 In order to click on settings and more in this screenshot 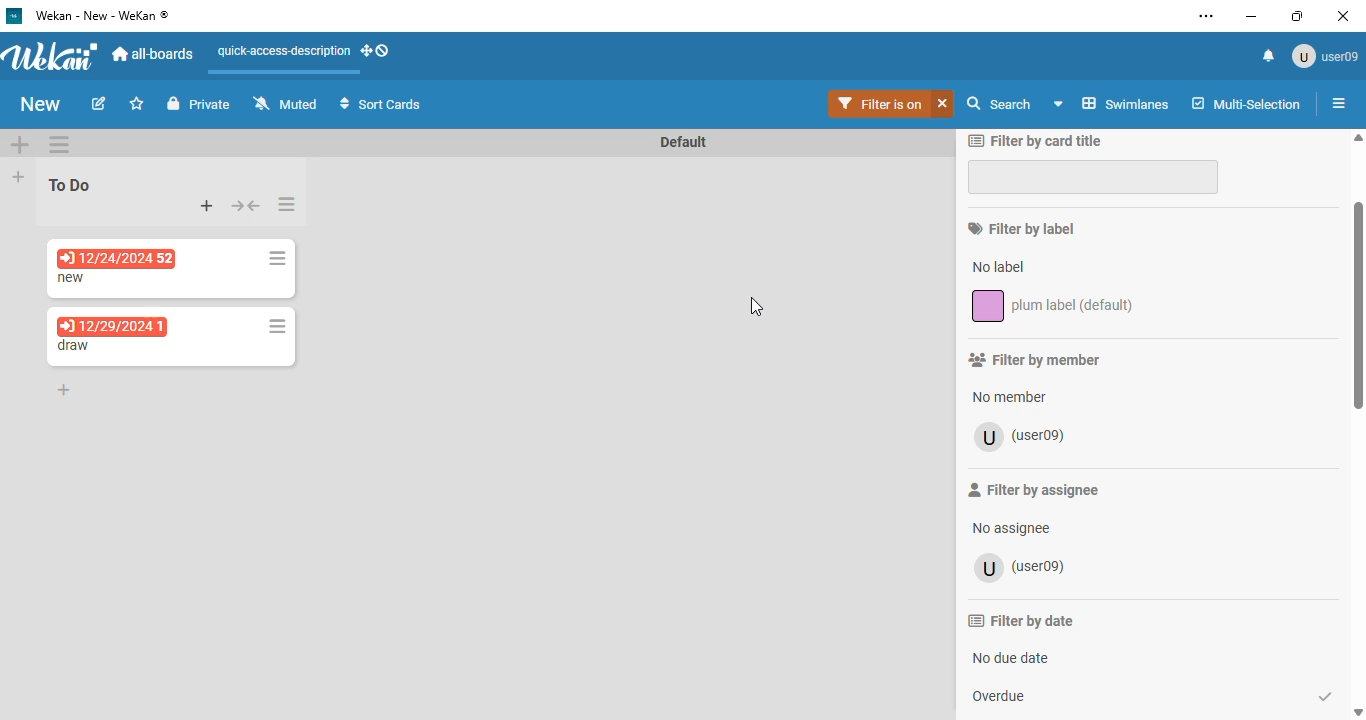, I will do `click(1206, 16)`.